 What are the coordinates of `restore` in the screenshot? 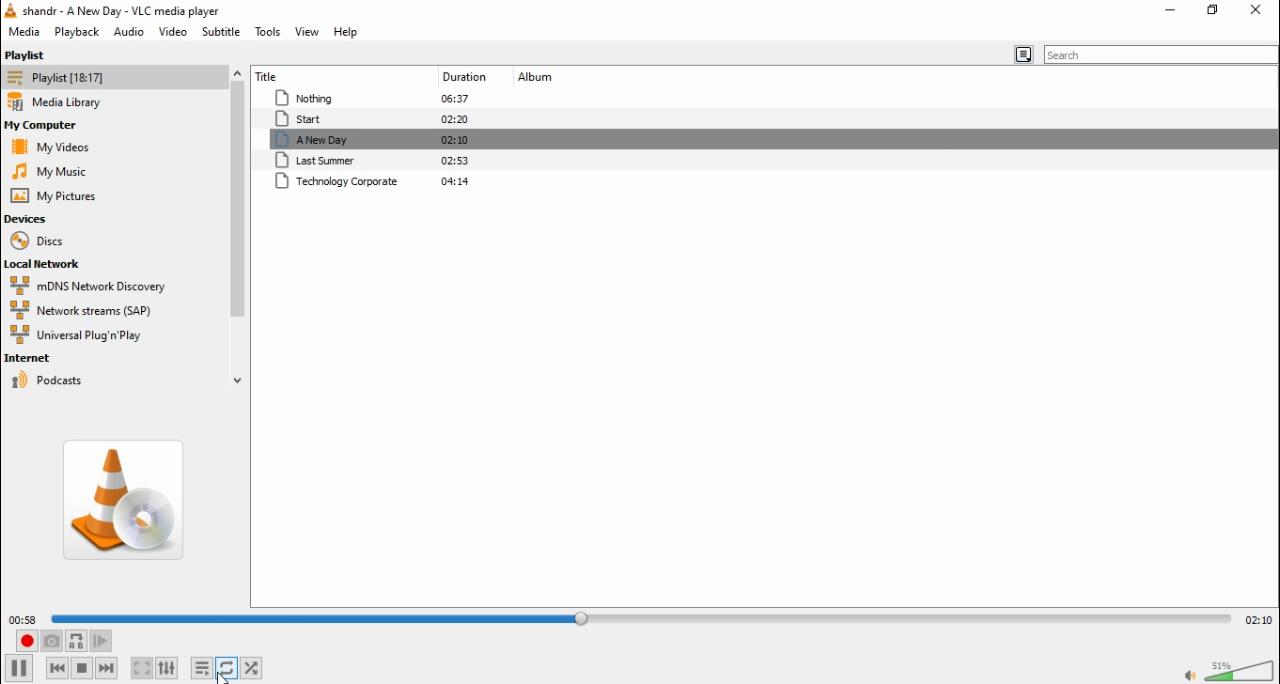 It's located at (1210, 10).